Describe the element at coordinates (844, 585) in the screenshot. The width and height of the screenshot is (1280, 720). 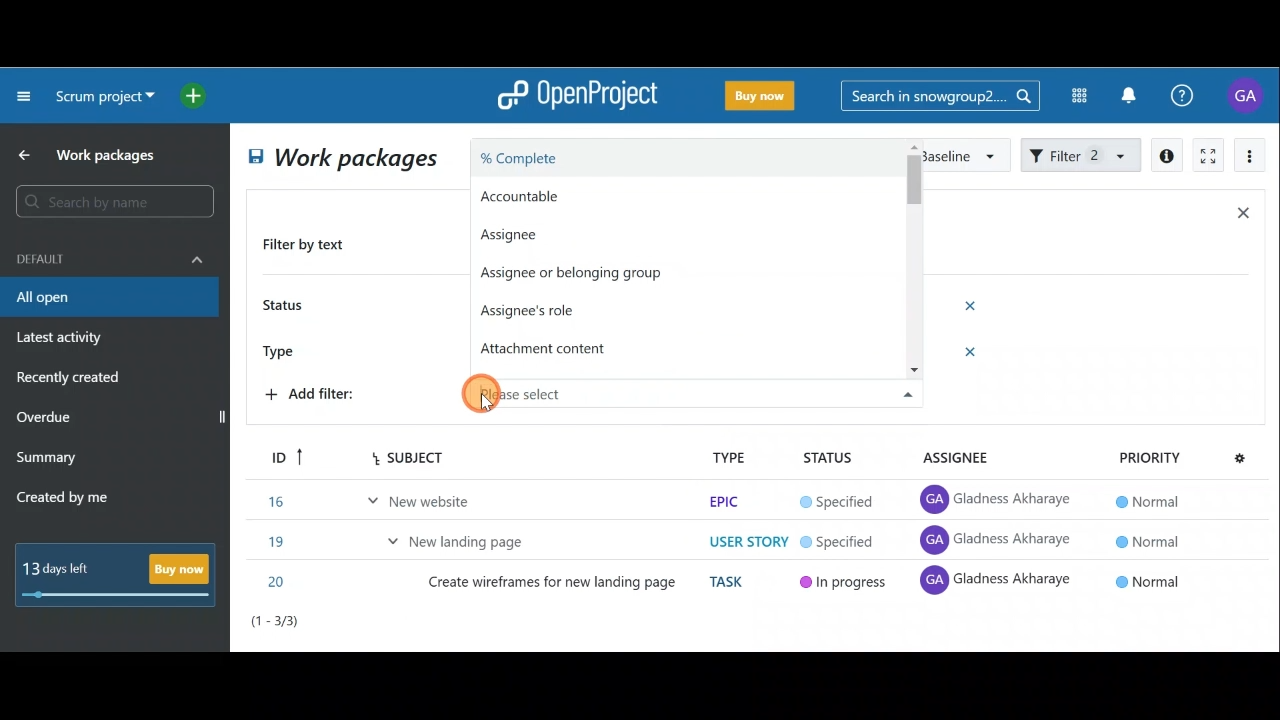
I see `in progress` at that location.